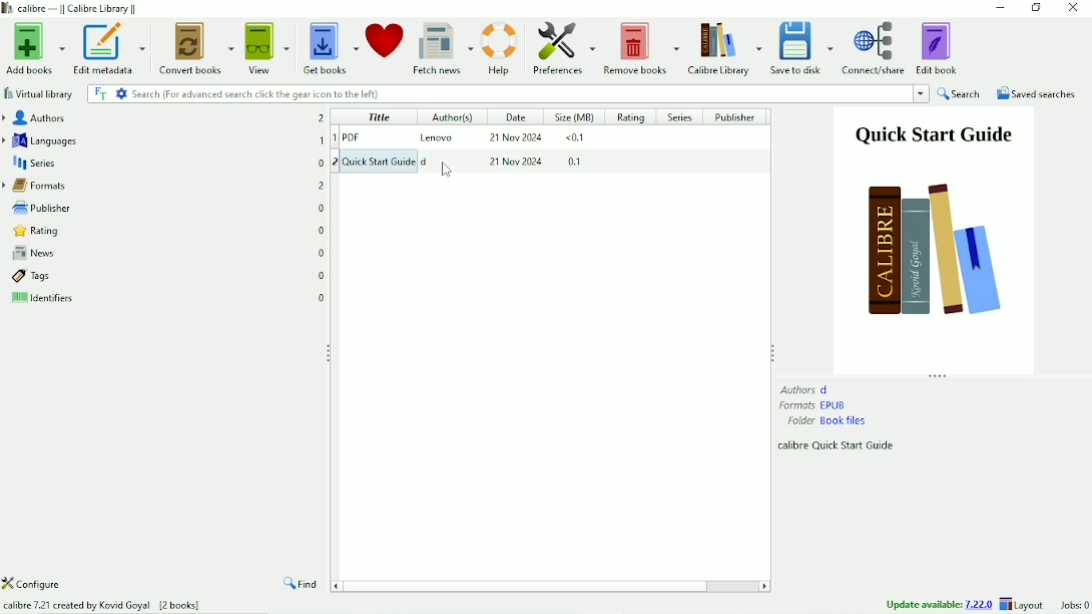  I want to click on Languages, so click(164, 140).